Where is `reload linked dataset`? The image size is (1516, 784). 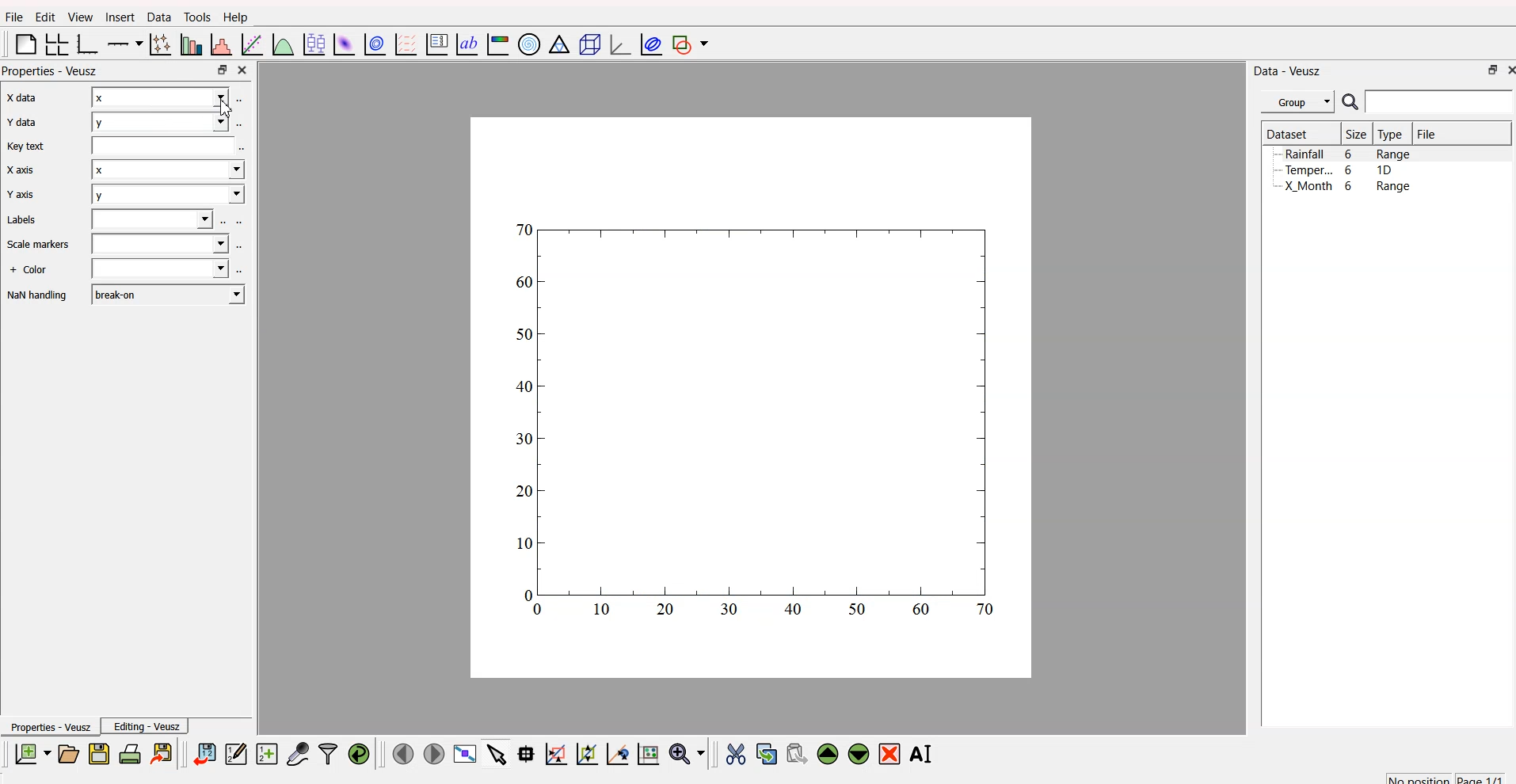
reload linked dataset is located at coordinates (358, 752).